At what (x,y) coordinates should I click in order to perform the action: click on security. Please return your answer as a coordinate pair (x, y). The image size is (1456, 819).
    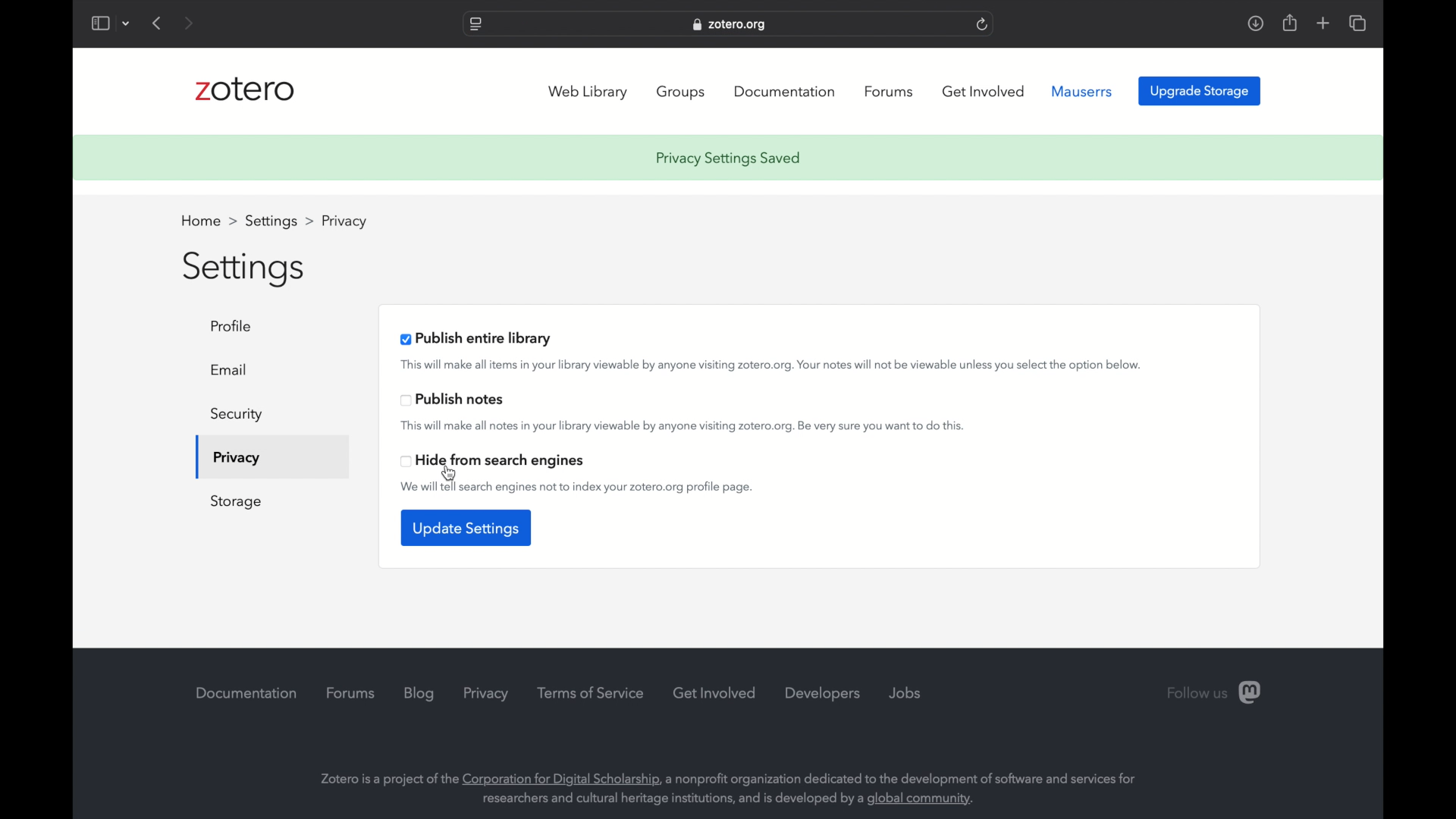
    Looking at the image, I should click on (236, 415).